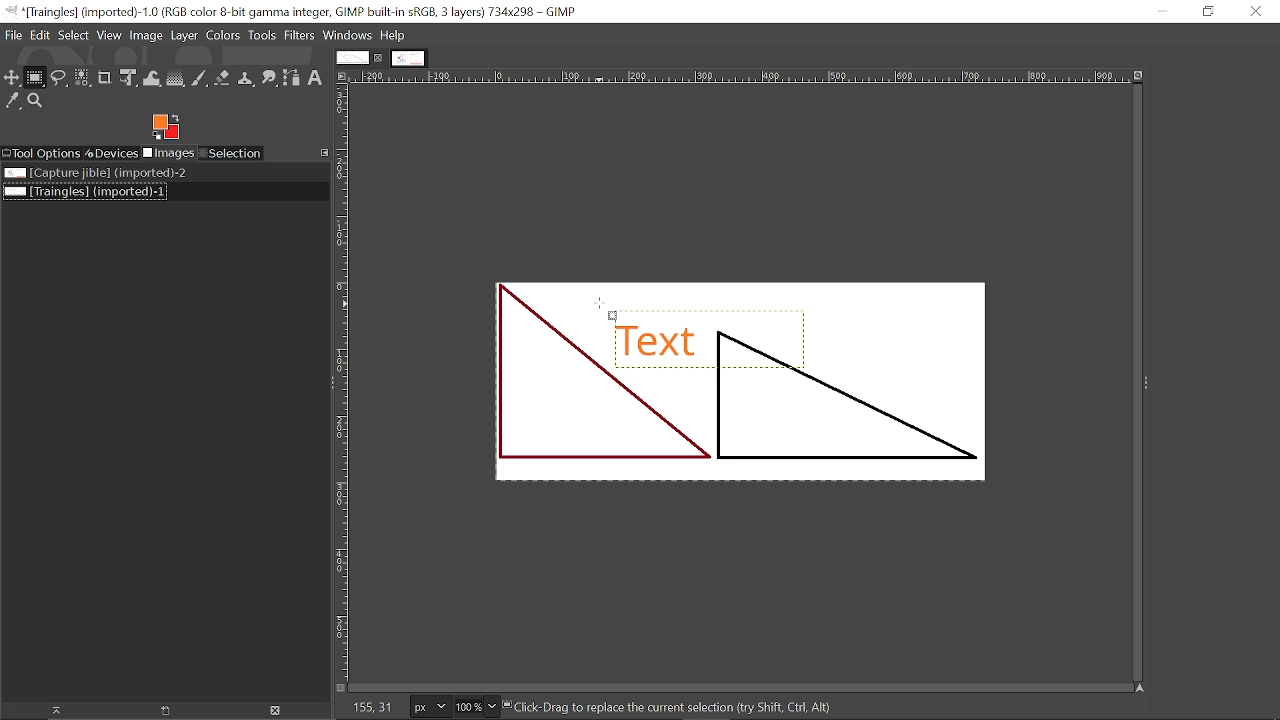 The width and height of the screenshot is (1280, 720). What do you see at coordinates (232, 153) in the screenshot?
I see `Selection` at bounding box center [232, 153].